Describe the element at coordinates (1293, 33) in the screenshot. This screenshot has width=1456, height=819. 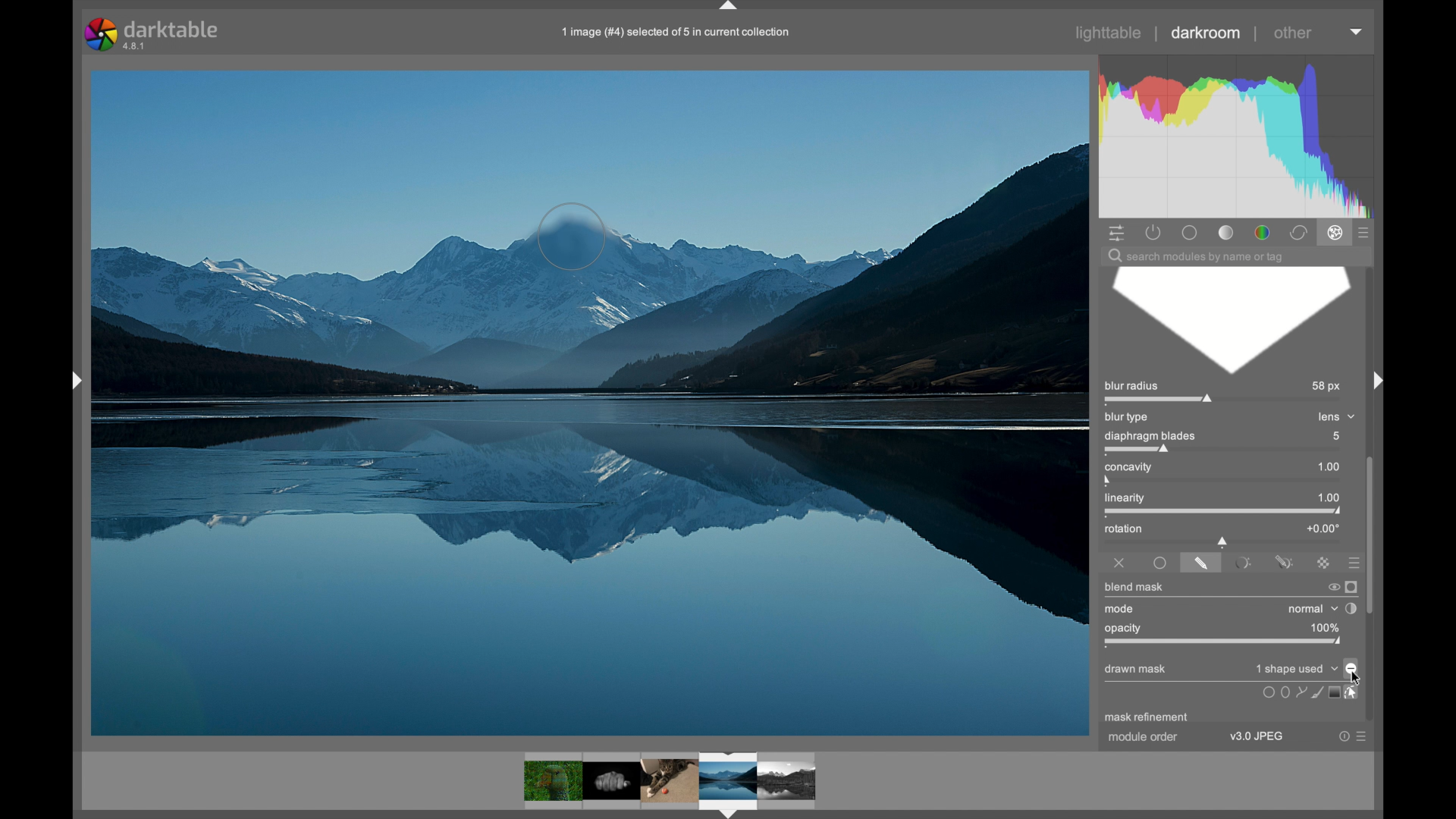
I see `other` at that location.